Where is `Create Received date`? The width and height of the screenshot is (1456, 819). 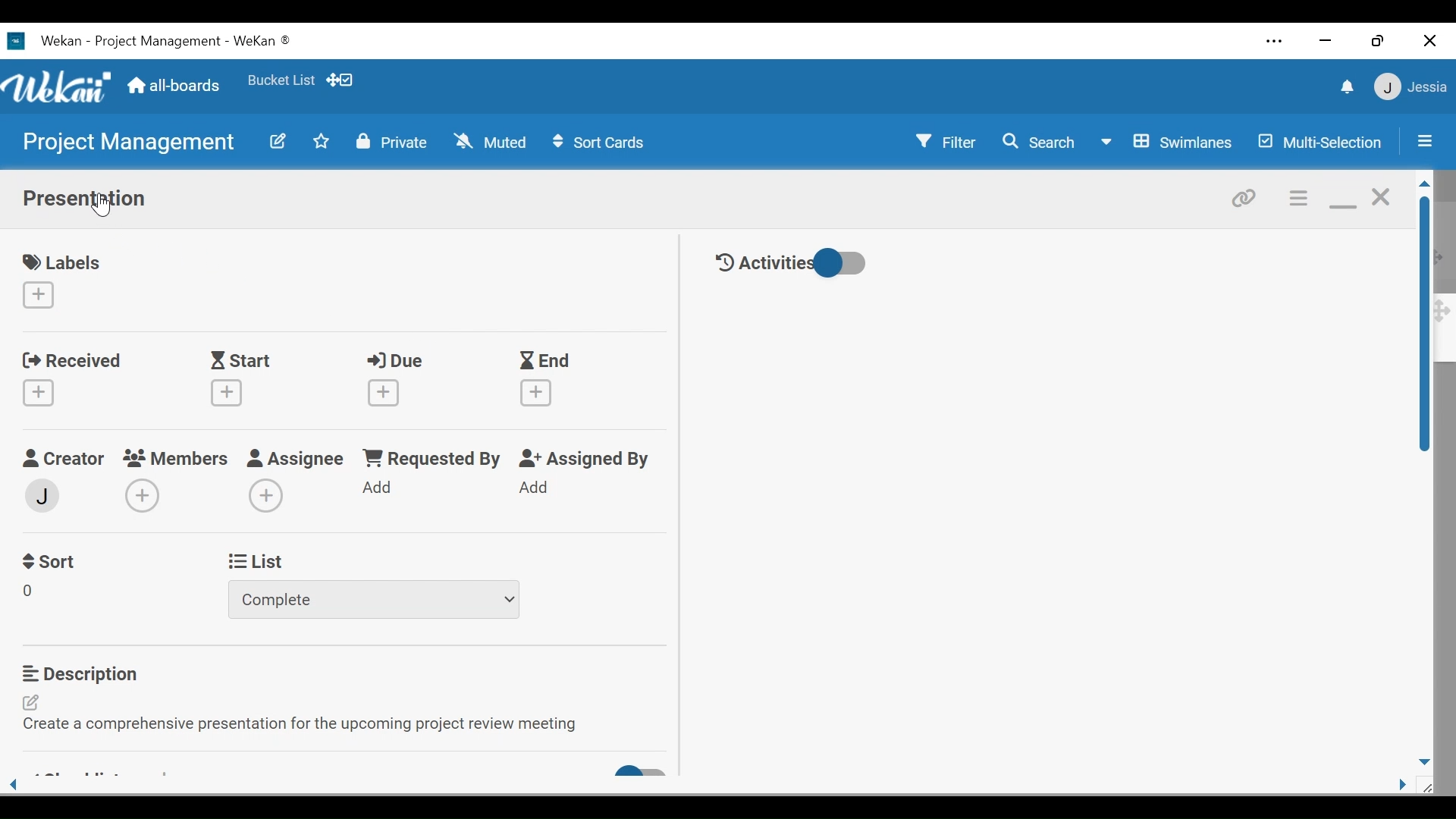 Create Received date is located at coordinates (38, 391).